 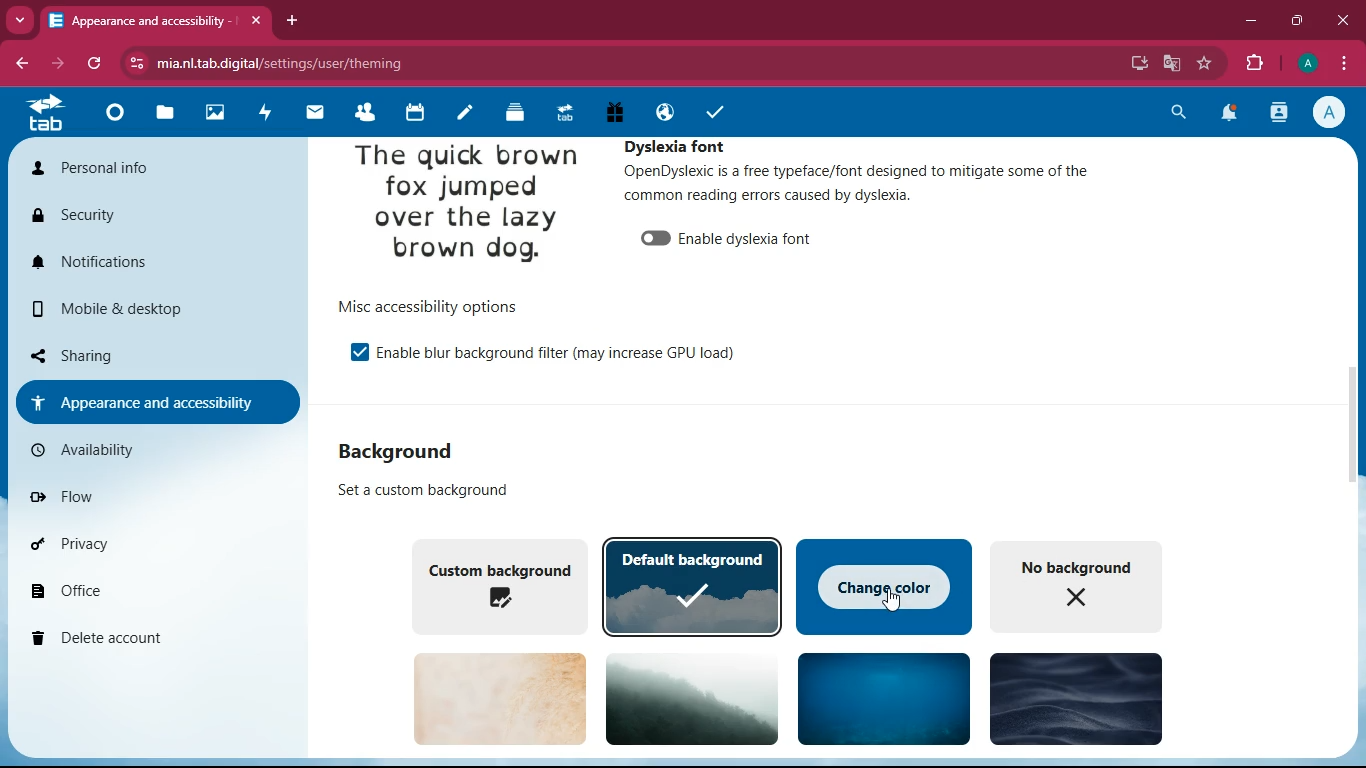 I want to click on change color, so click(x=884, y=585).